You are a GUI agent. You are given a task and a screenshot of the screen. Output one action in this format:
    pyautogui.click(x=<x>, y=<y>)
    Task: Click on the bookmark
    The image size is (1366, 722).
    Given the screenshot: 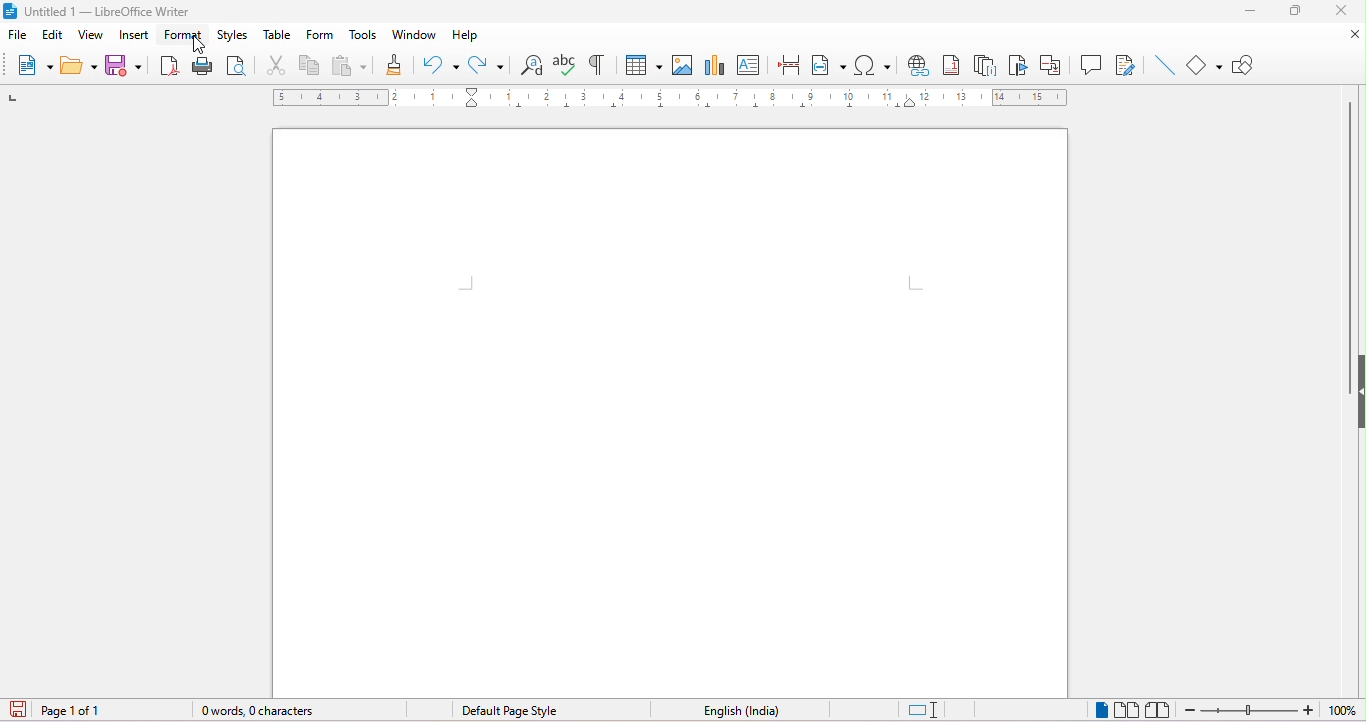 What is the action you would take?
    pyautogui.click(x=1019, y=67)
    